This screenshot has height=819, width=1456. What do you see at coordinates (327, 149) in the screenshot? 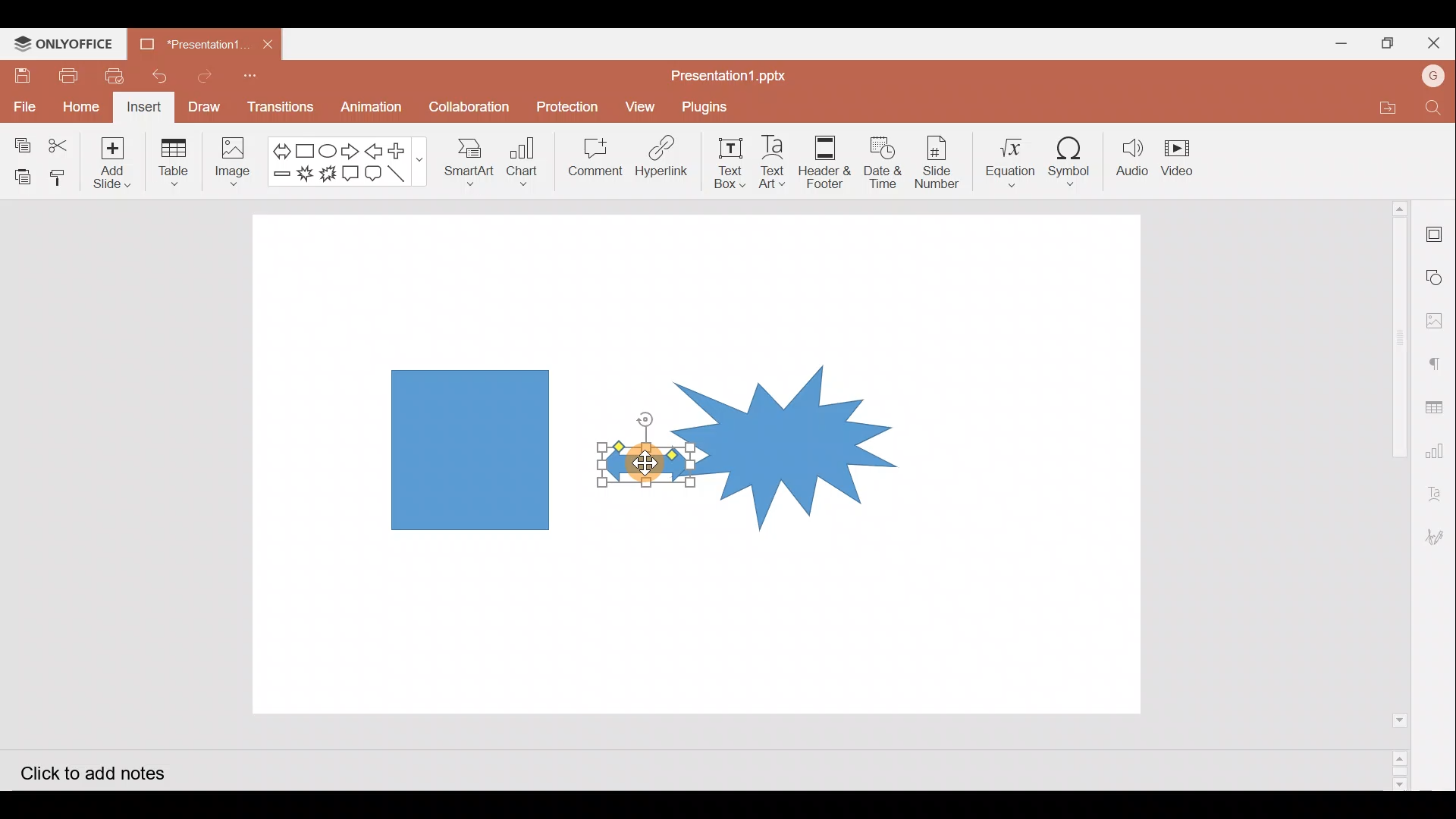
I see `Ellipse` at bounding box center [327, 149].